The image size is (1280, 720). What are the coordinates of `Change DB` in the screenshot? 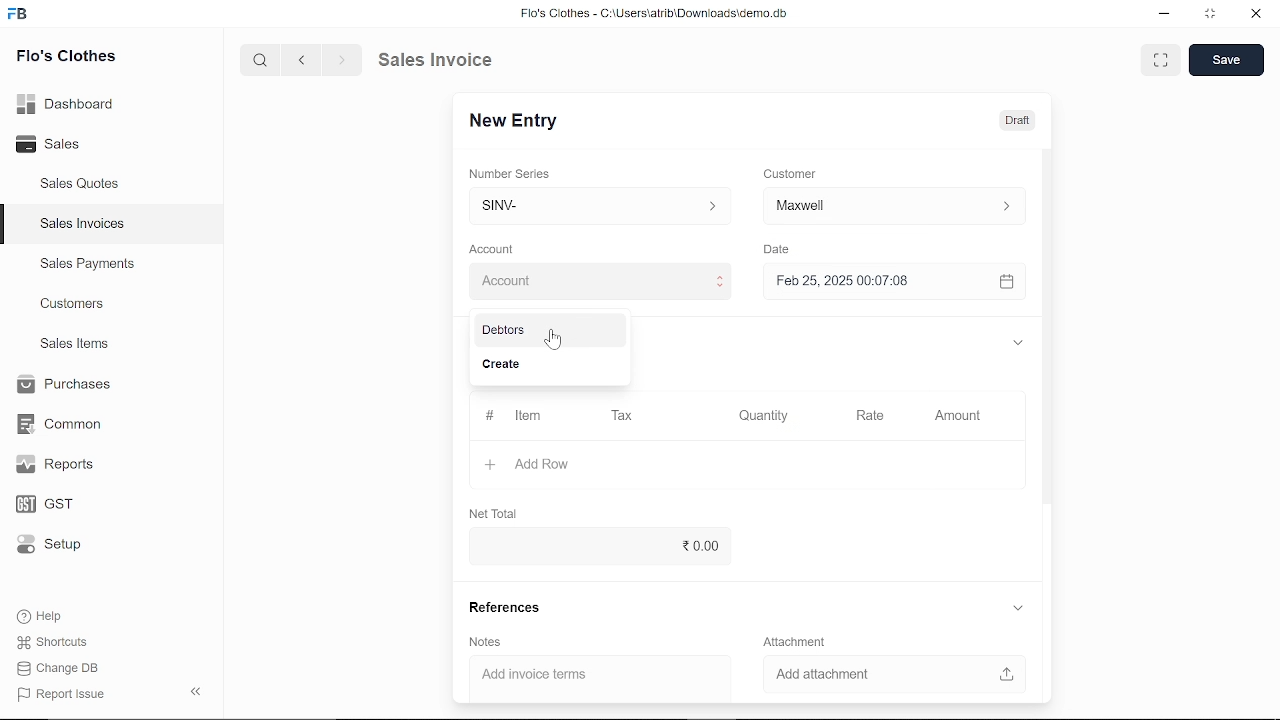 It's located at (60, 667).